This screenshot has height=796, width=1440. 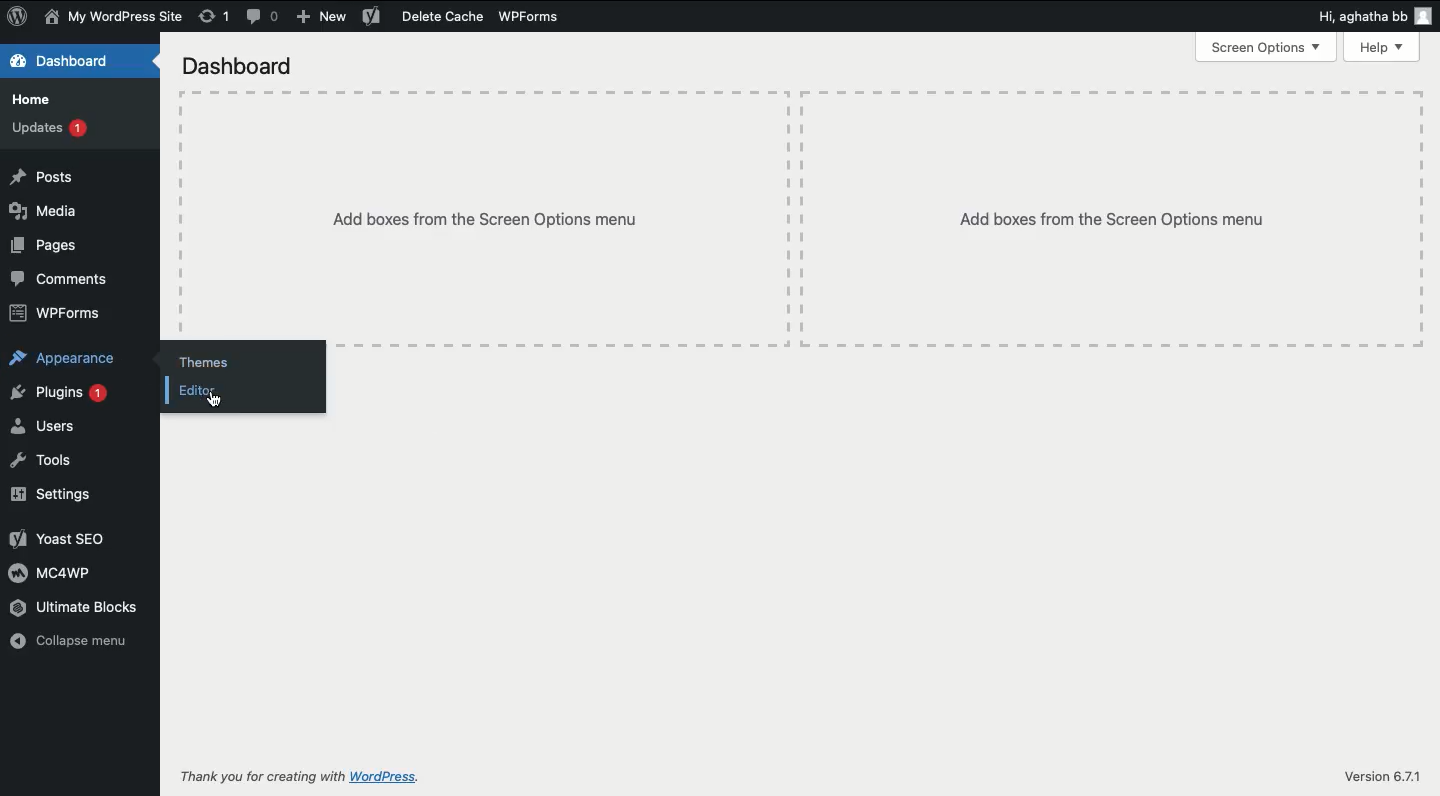 What do you see at coordinates (69, 607) in the screenshot?
I see `Ultimate Blocks ` at bounding box center [69, 607].